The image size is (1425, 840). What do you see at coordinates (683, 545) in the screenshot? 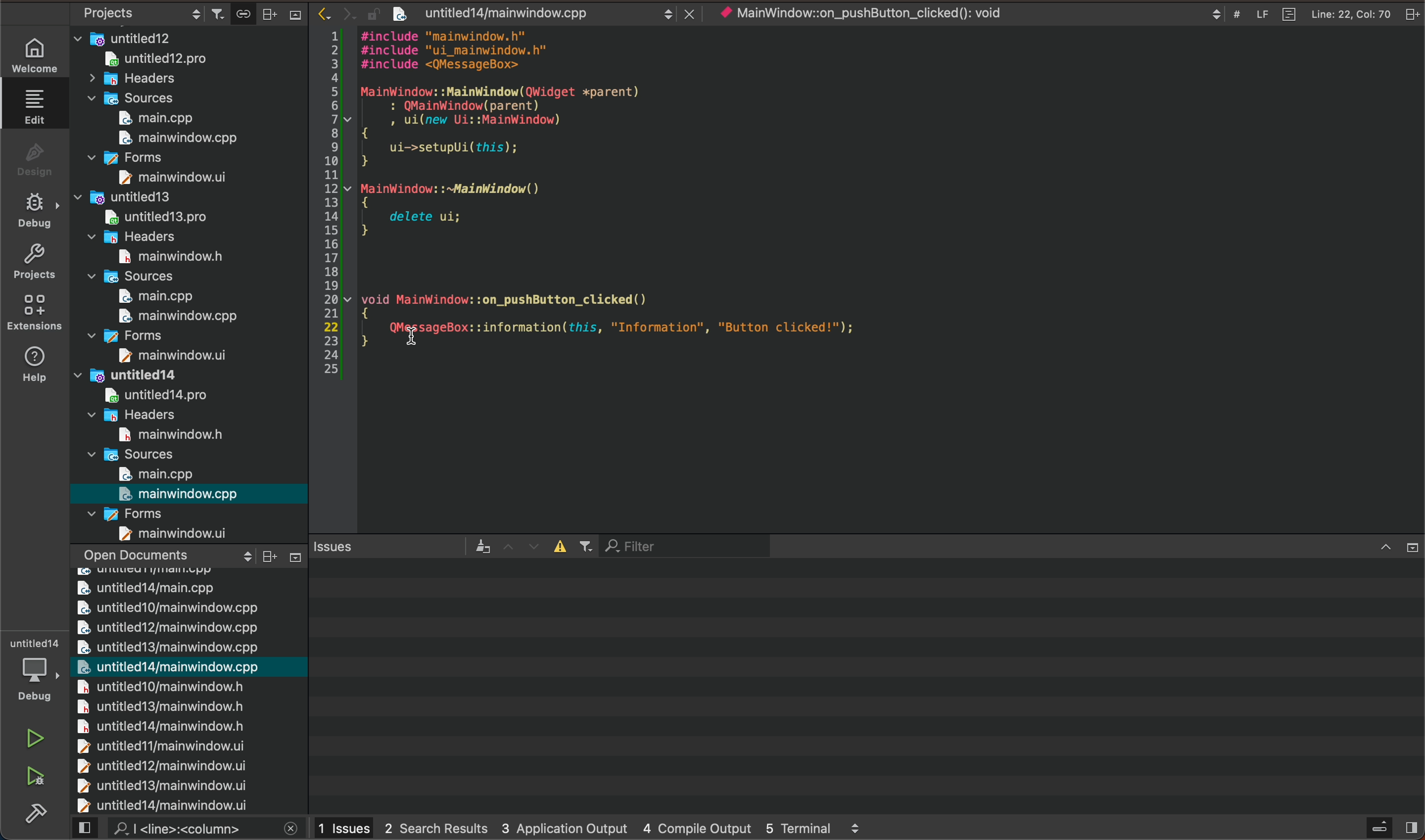
I see `filter` at bounding box center [683, 545].